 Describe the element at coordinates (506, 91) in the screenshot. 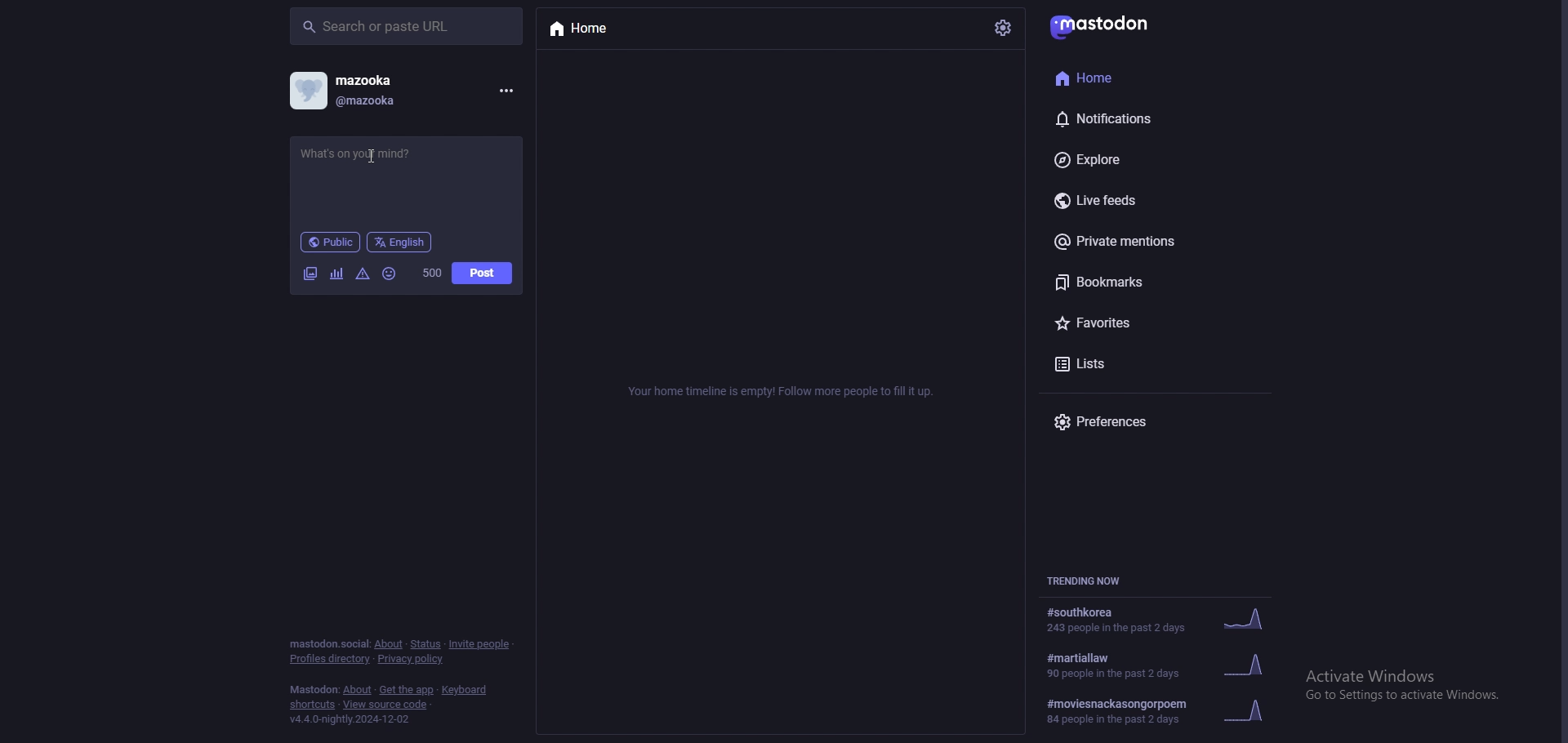

I see `menu` at that location.